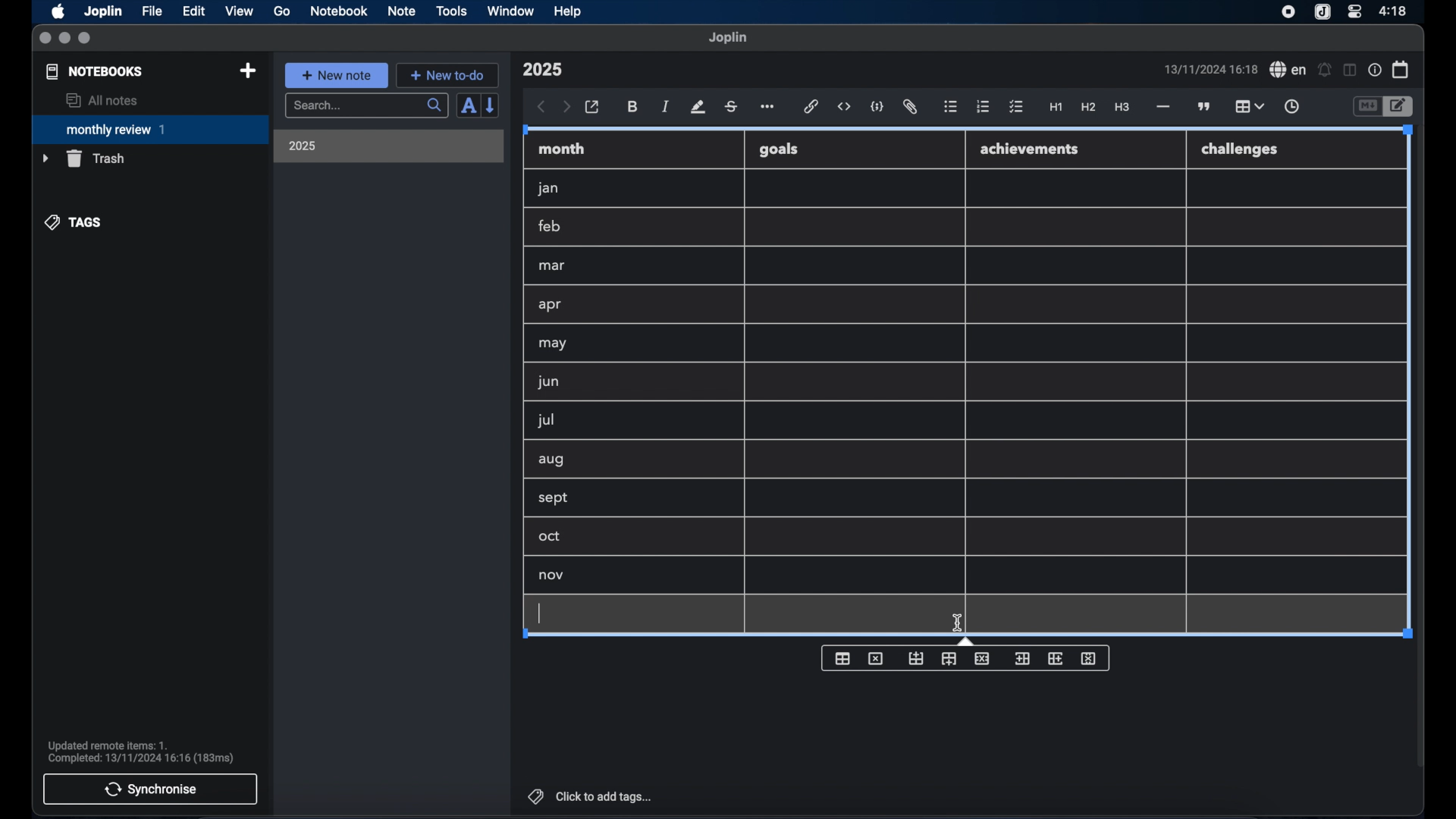  I want to click on delete row, so click(983, 657).